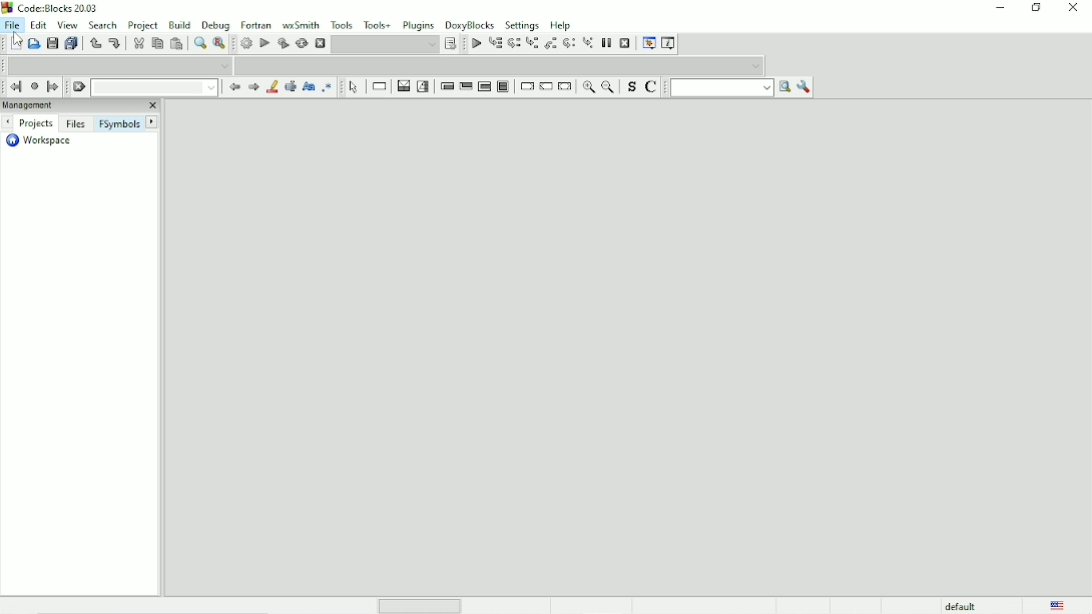 This screenshot has height=614, width=1092. Describe the element at coordinates (1058, 605) in the screenshot. I see `Language` at that location.